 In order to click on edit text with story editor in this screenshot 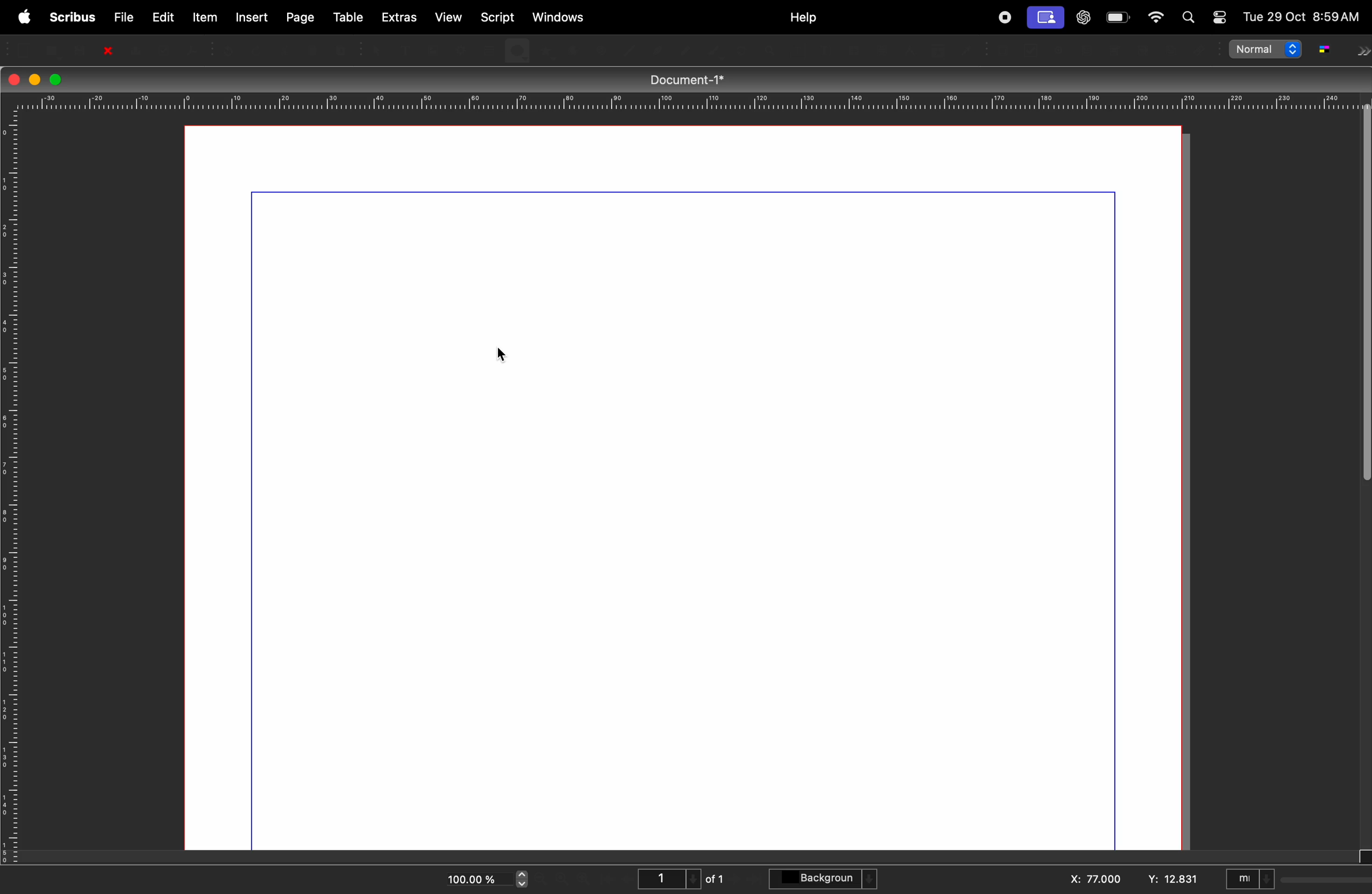, I will do `click(825, 50)`.